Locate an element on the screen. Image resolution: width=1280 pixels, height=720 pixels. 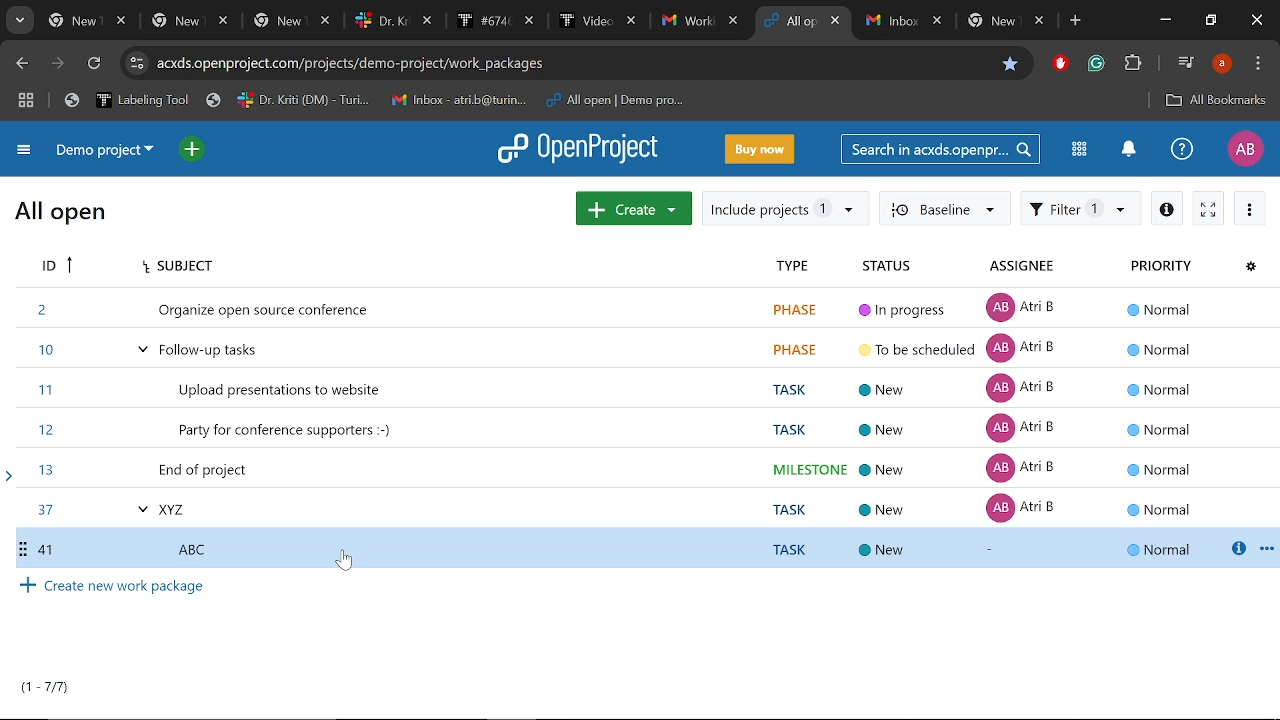
Bookmarks is located at coordinates (378, 100).